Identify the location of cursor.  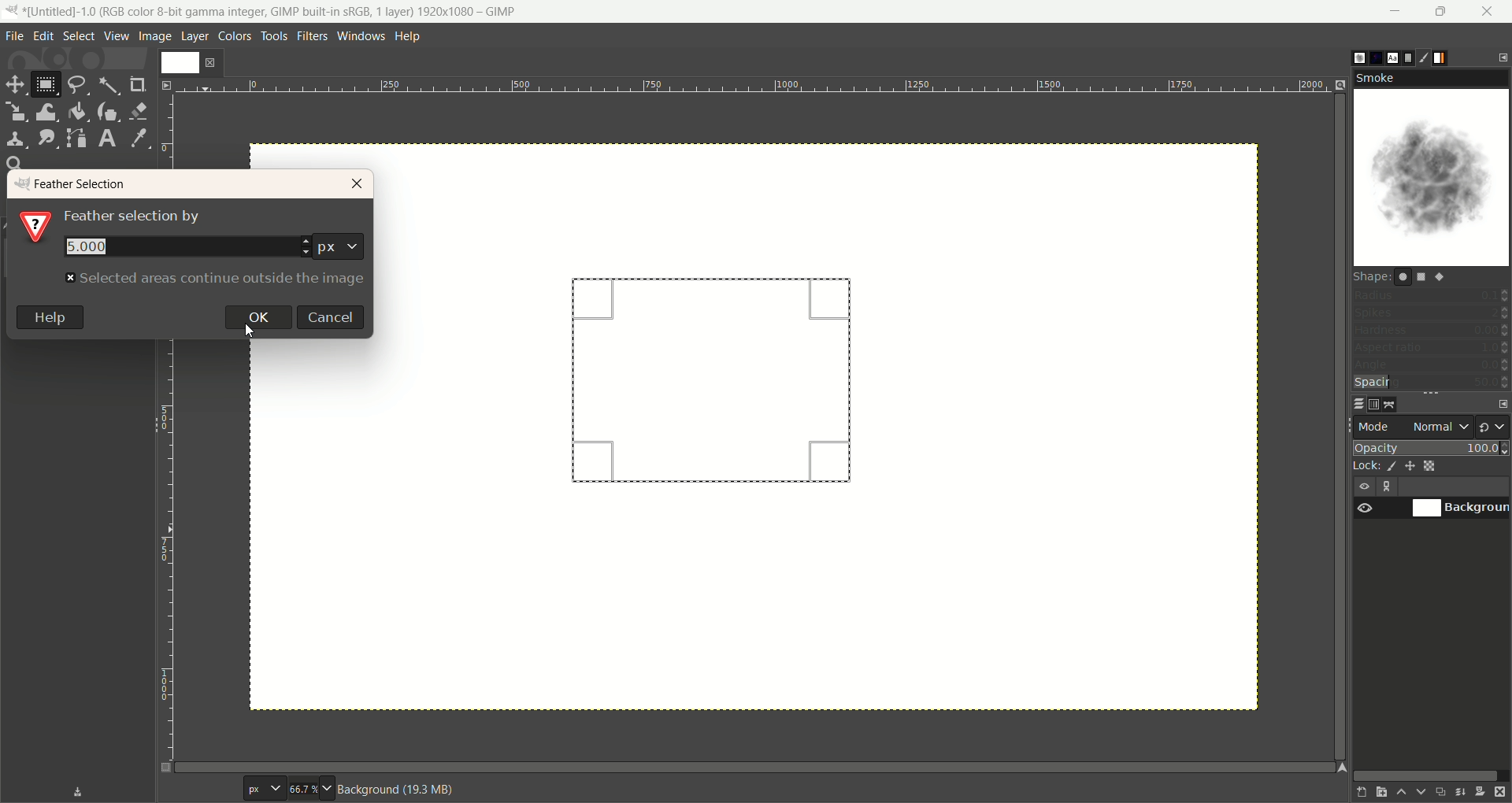
(252, 335).